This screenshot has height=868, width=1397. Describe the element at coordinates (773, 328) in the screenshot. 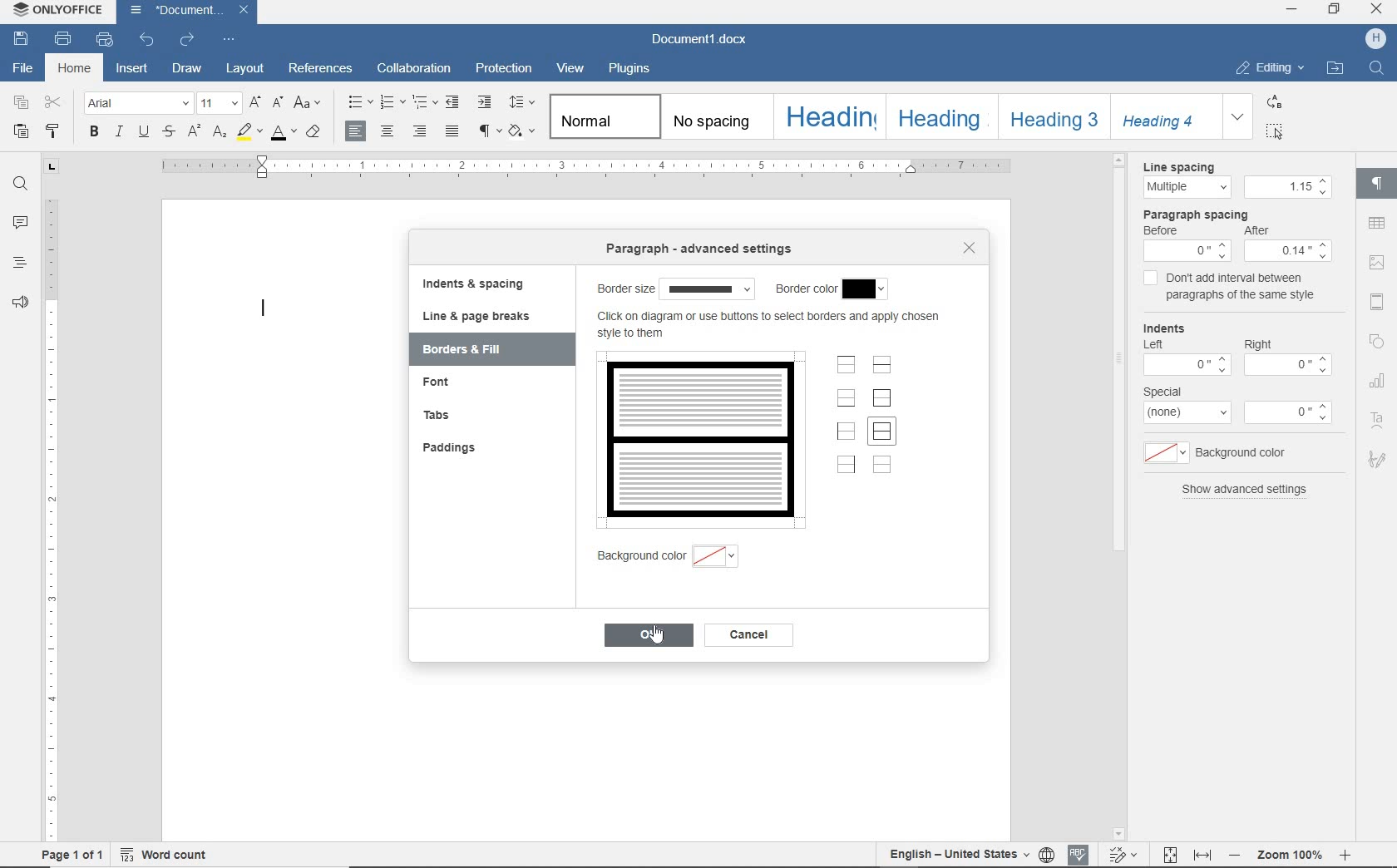

I see `Click on diagram or use buttons to select borders and apply chosen style to them.` at that location.